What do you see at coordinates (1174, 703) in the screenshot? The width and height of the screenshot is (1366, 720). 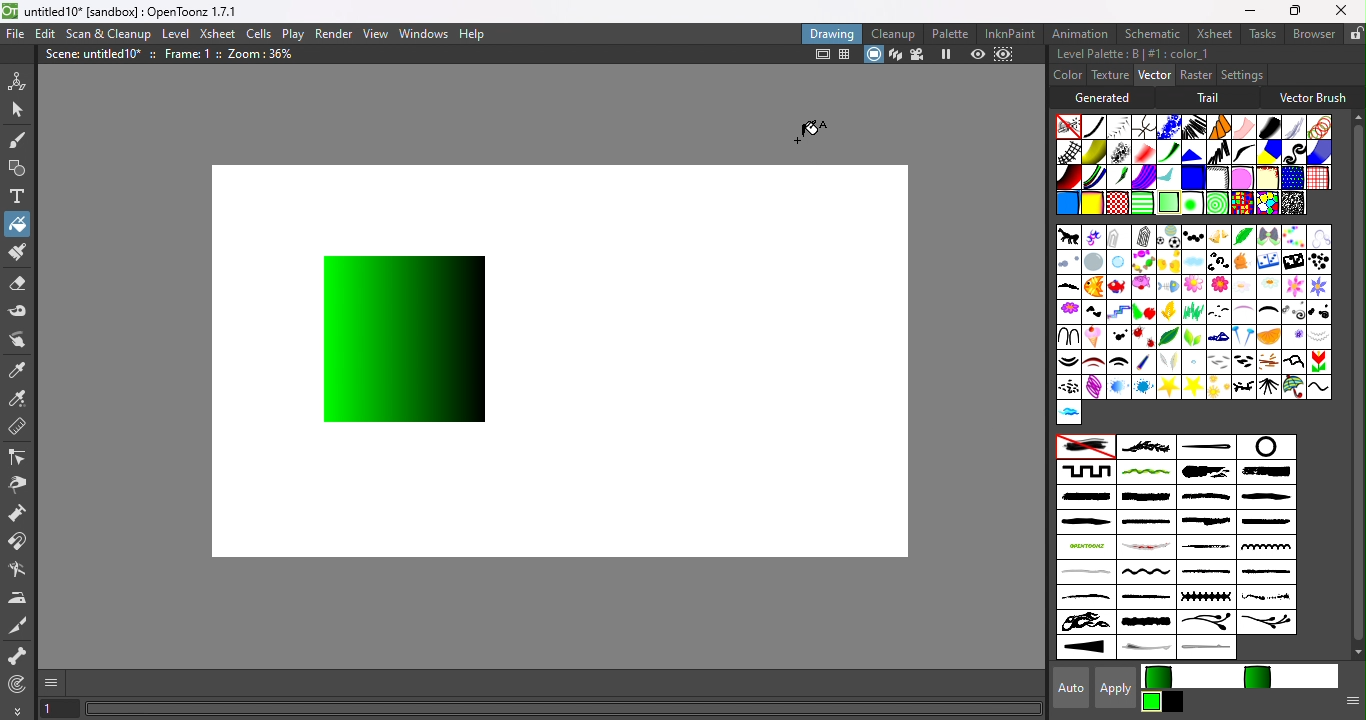 I see `return to previous style` at bounding box center [1174, 703].